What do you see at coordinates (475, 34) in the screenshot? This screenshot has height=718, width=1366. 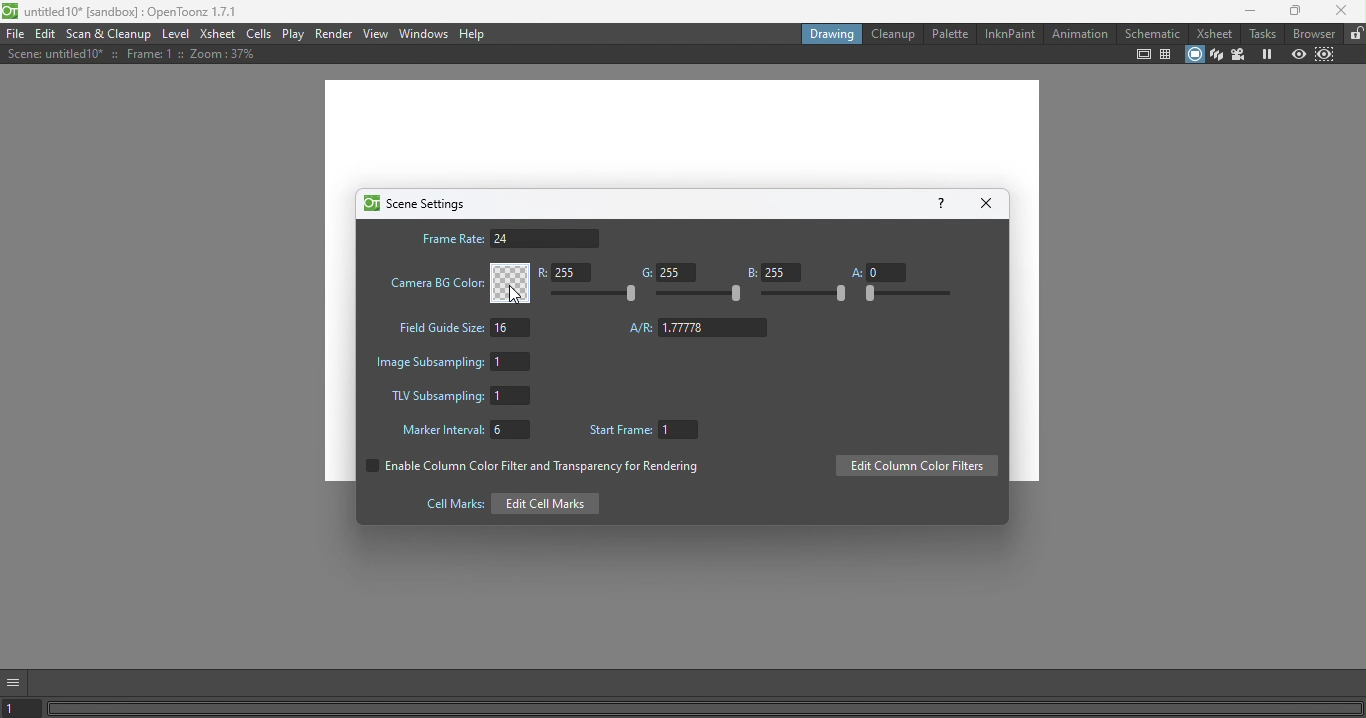 I see `Help` at bounding box center [475, 34].